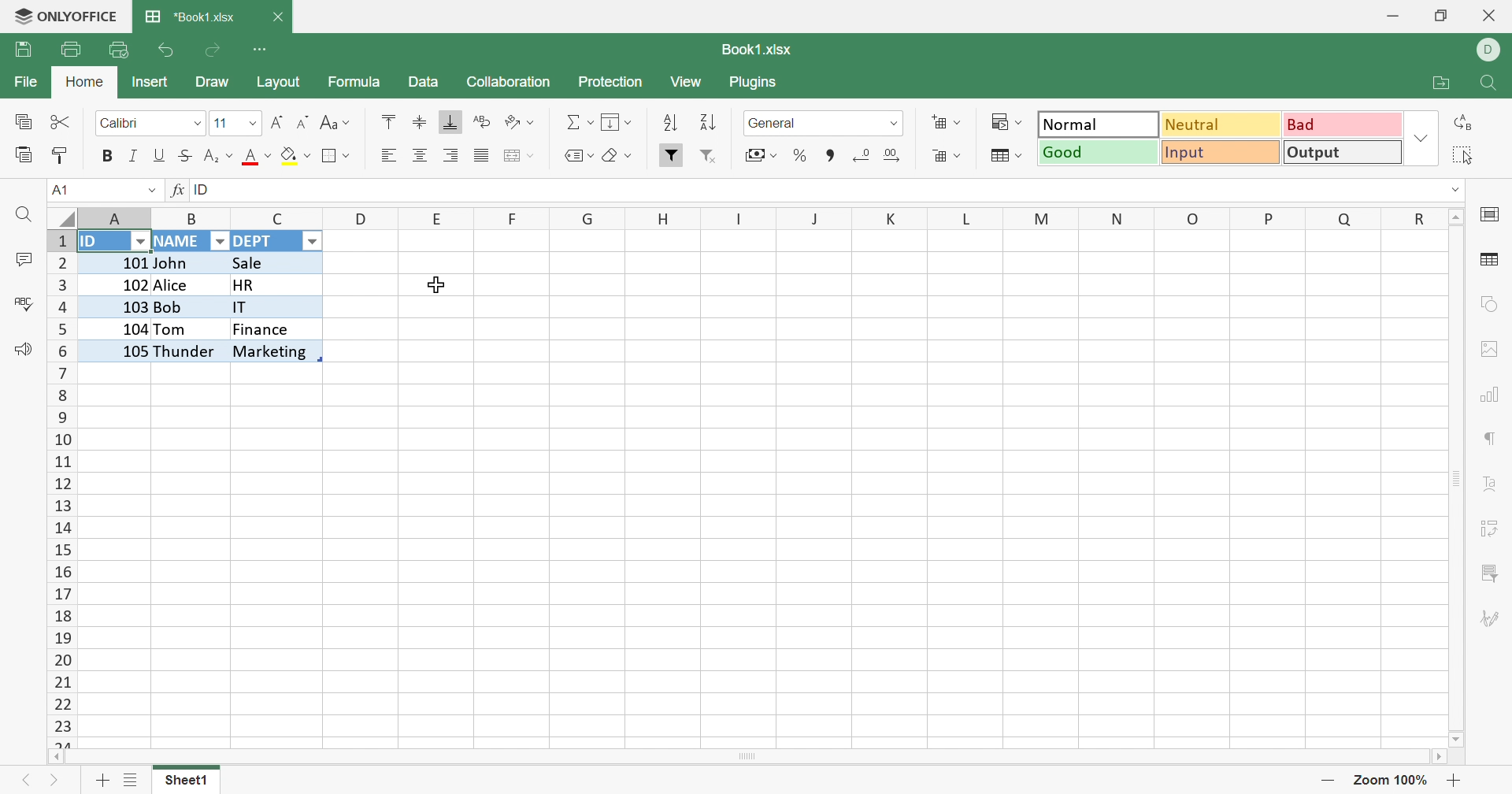 The height and width of the screenshot is (794, 1512). What do you see at coordinates (176, 286) in the screenshot?
I see `Alice` at bounding box center [176, 286].